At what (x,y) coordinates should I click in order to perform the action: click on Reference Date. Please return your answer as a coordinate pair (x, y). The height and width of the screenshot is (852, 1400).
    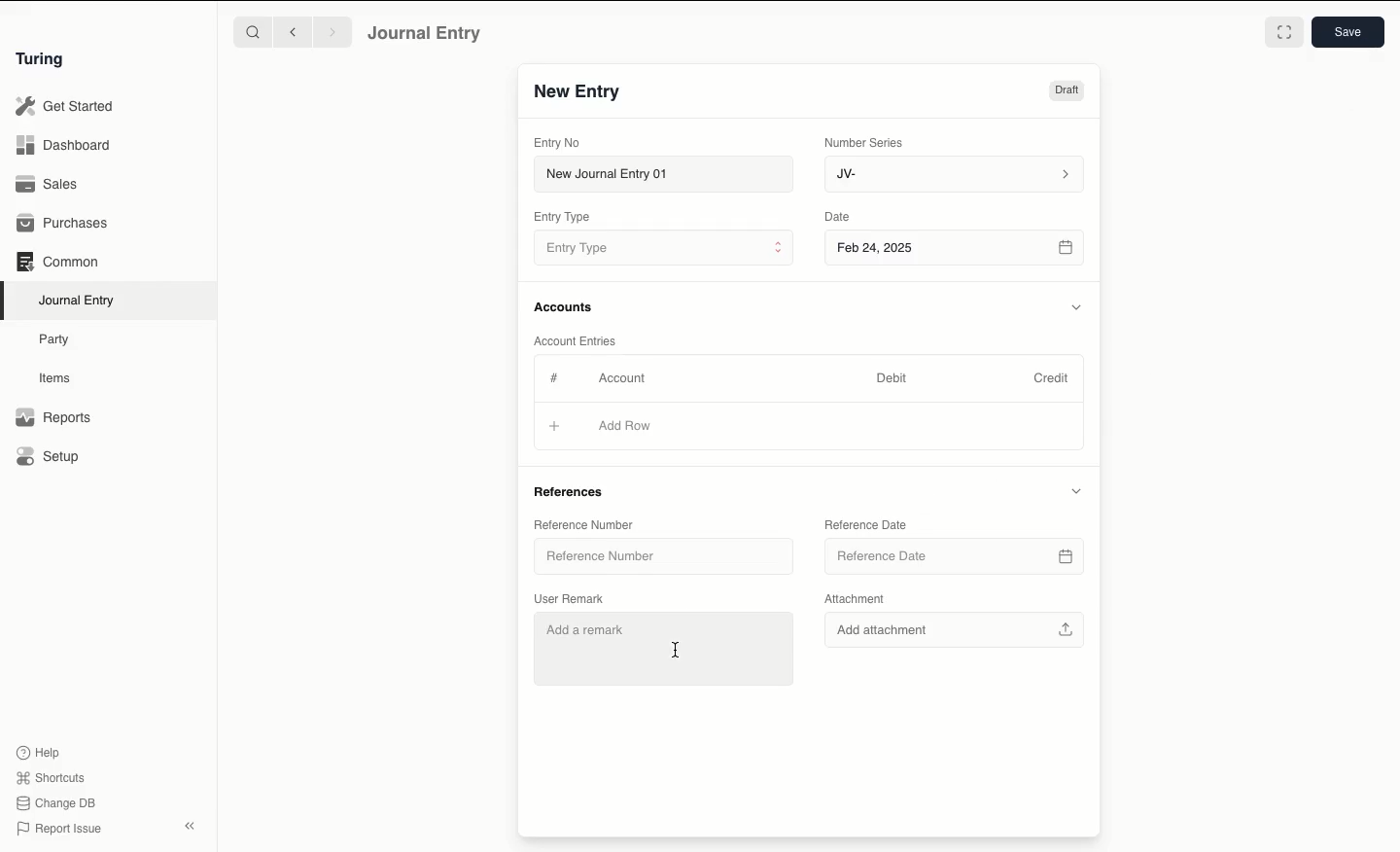
    Looking at the image, I should click on (959, 557).